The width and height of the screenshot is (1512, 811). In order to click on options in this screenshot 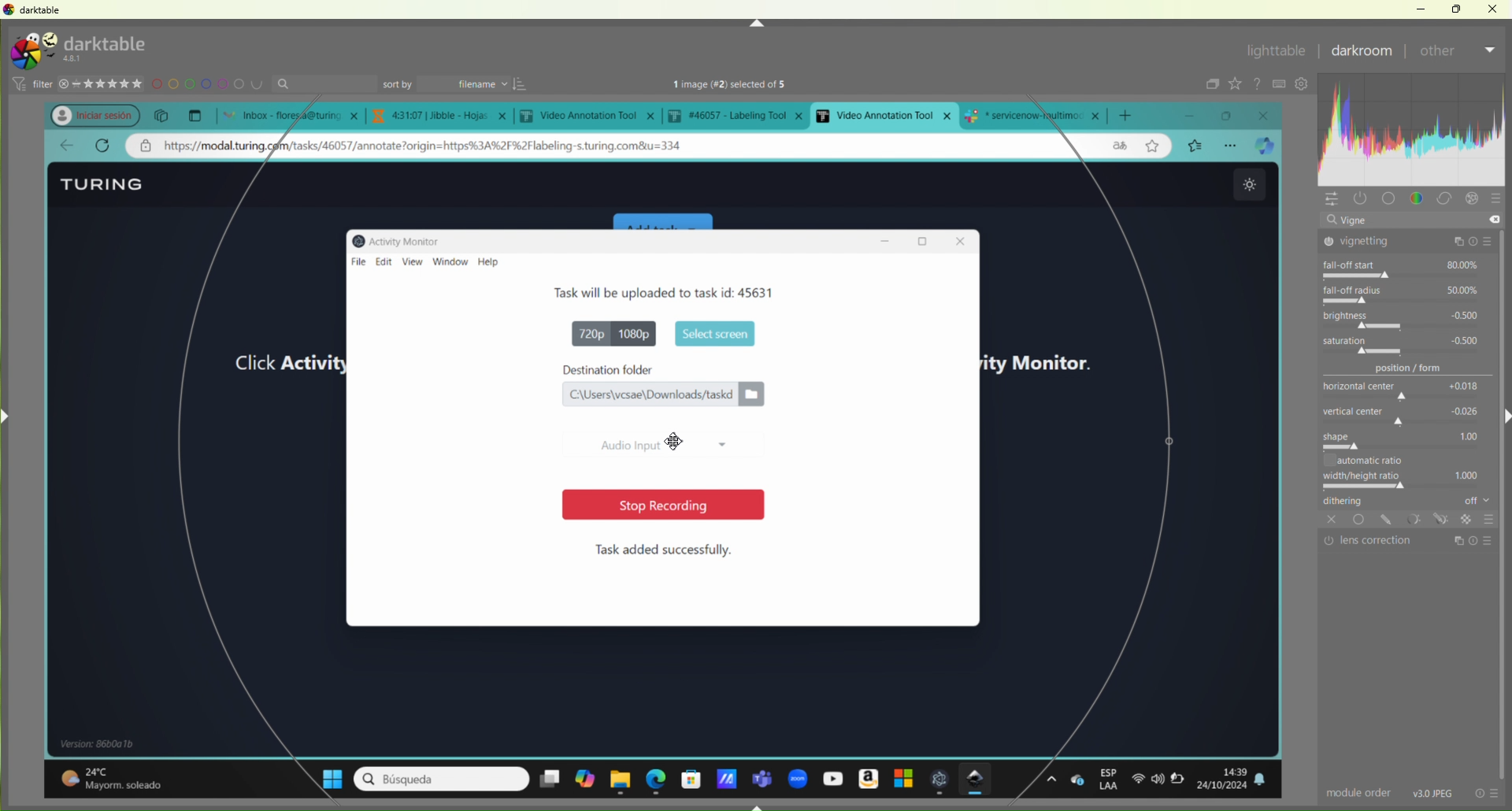, I will do `click(1232, 145)`.